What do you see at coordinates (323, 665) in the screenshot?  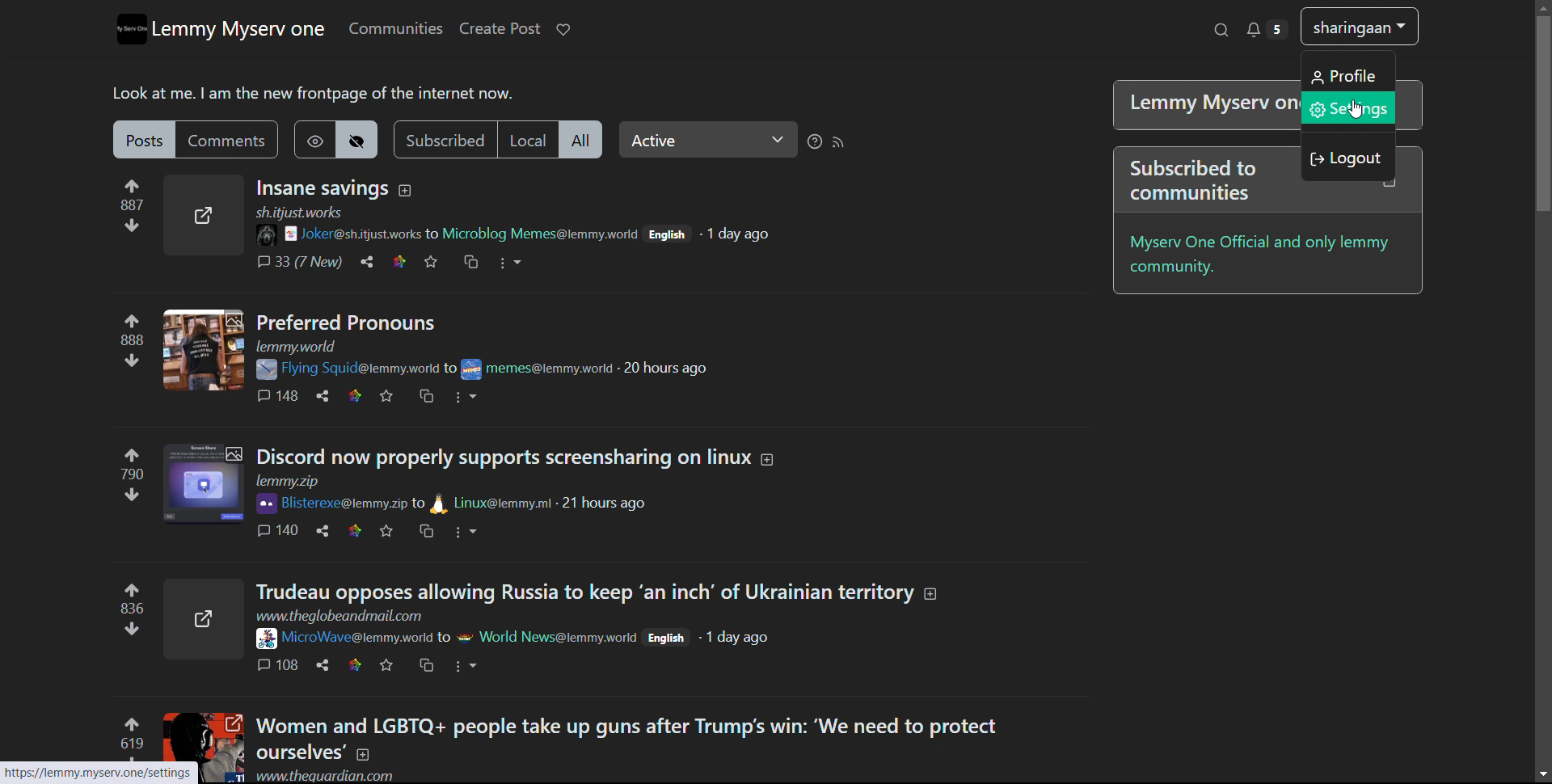 I see `share` at bounding box center [323, 665].